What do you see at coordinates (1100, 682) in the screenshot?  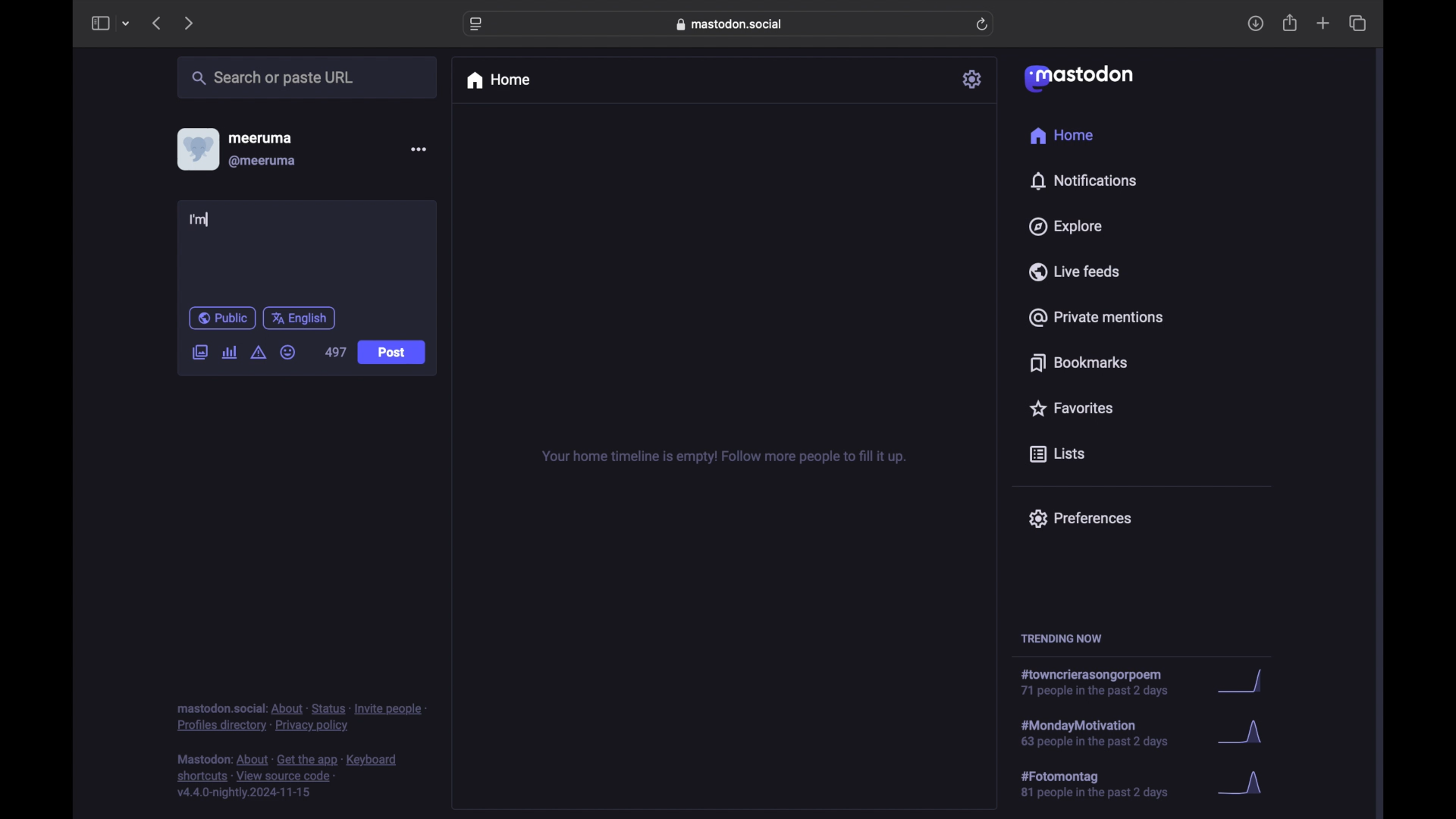 I see `hashtag trend` at bounding box center [1100, 682].